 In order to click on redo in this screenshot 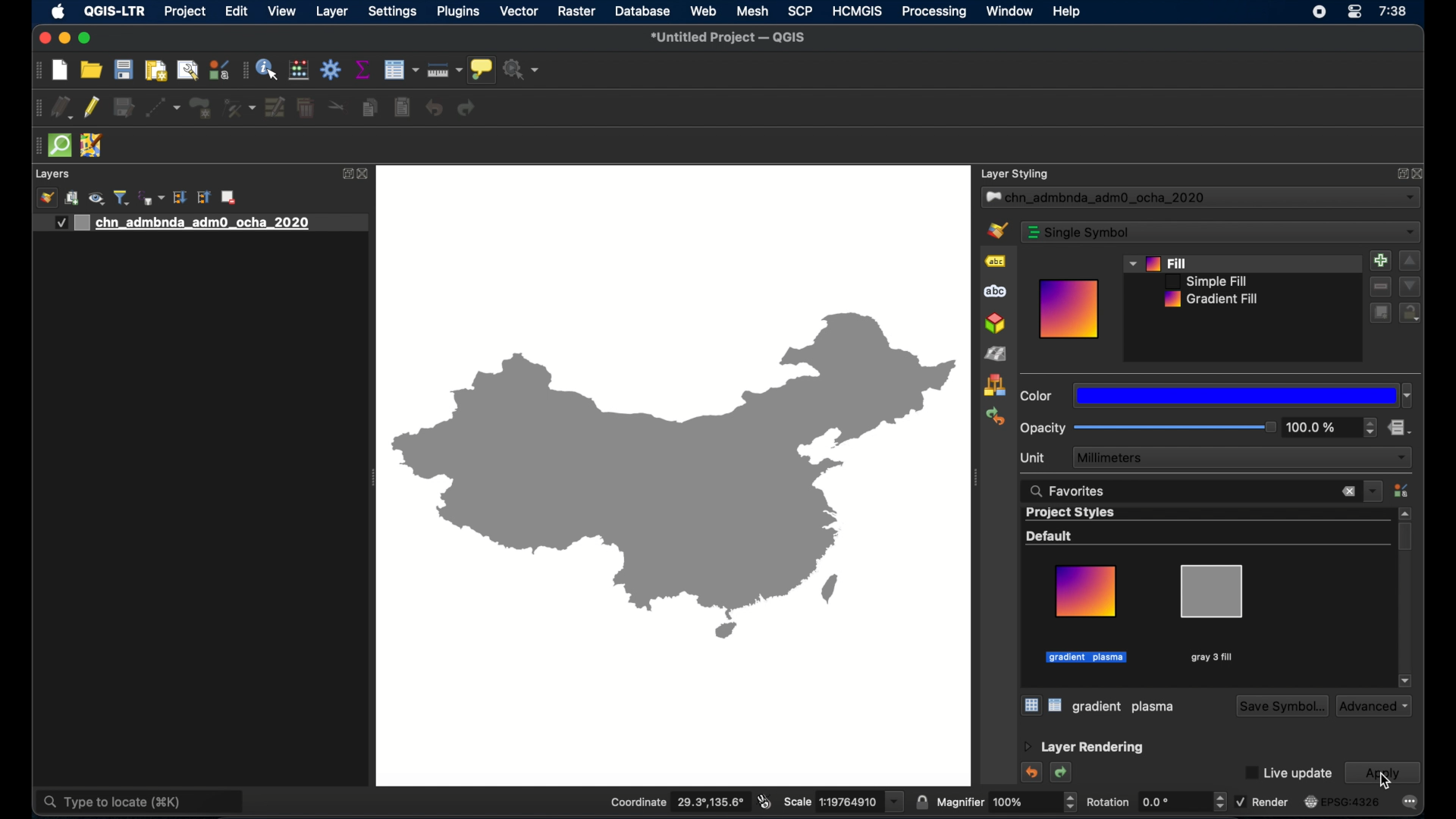, I will do `click(1062, 773)`.